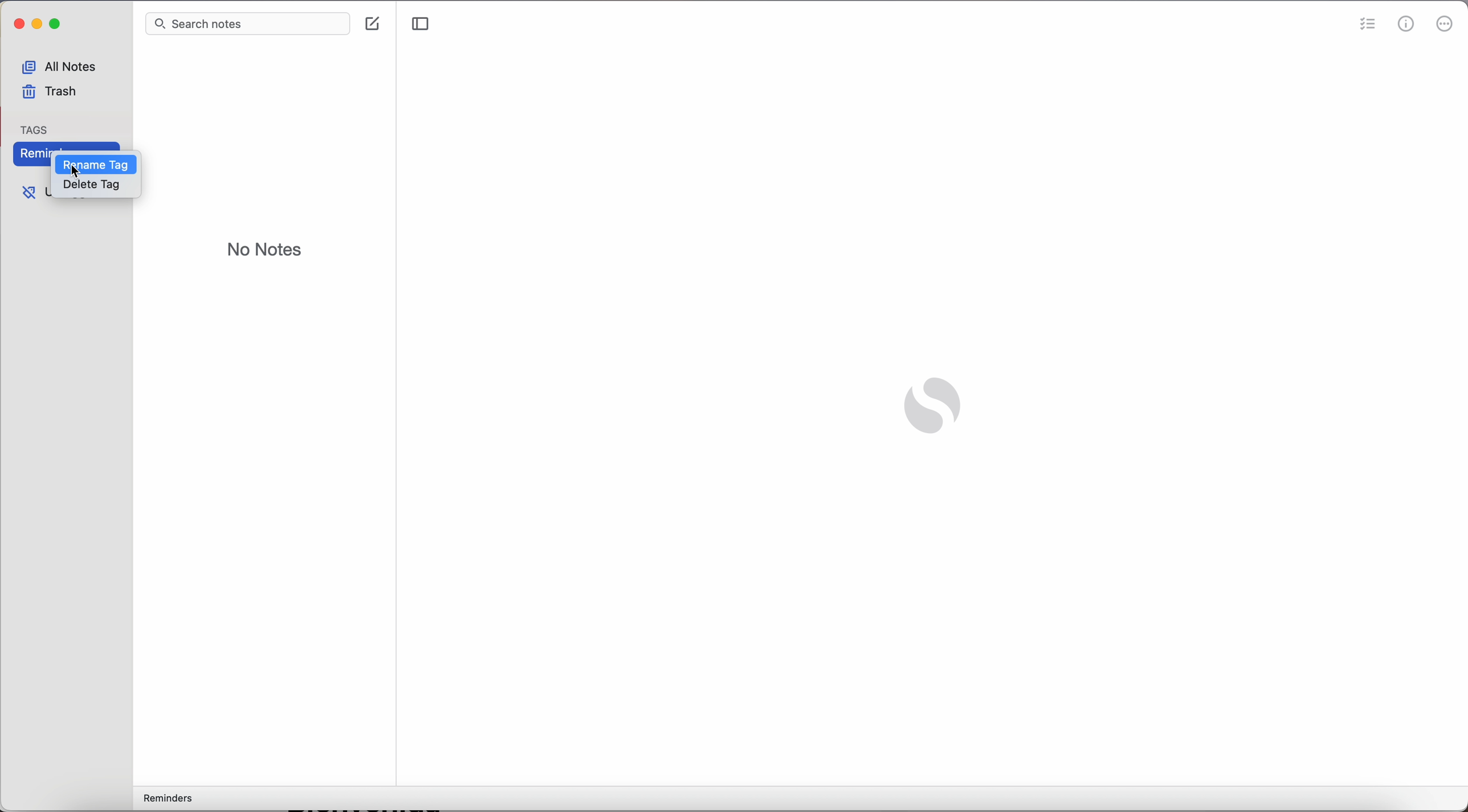  What do you see at coordinates (50, 94) in the screenshot?
I see `trash` at bounding box center [50, 94].